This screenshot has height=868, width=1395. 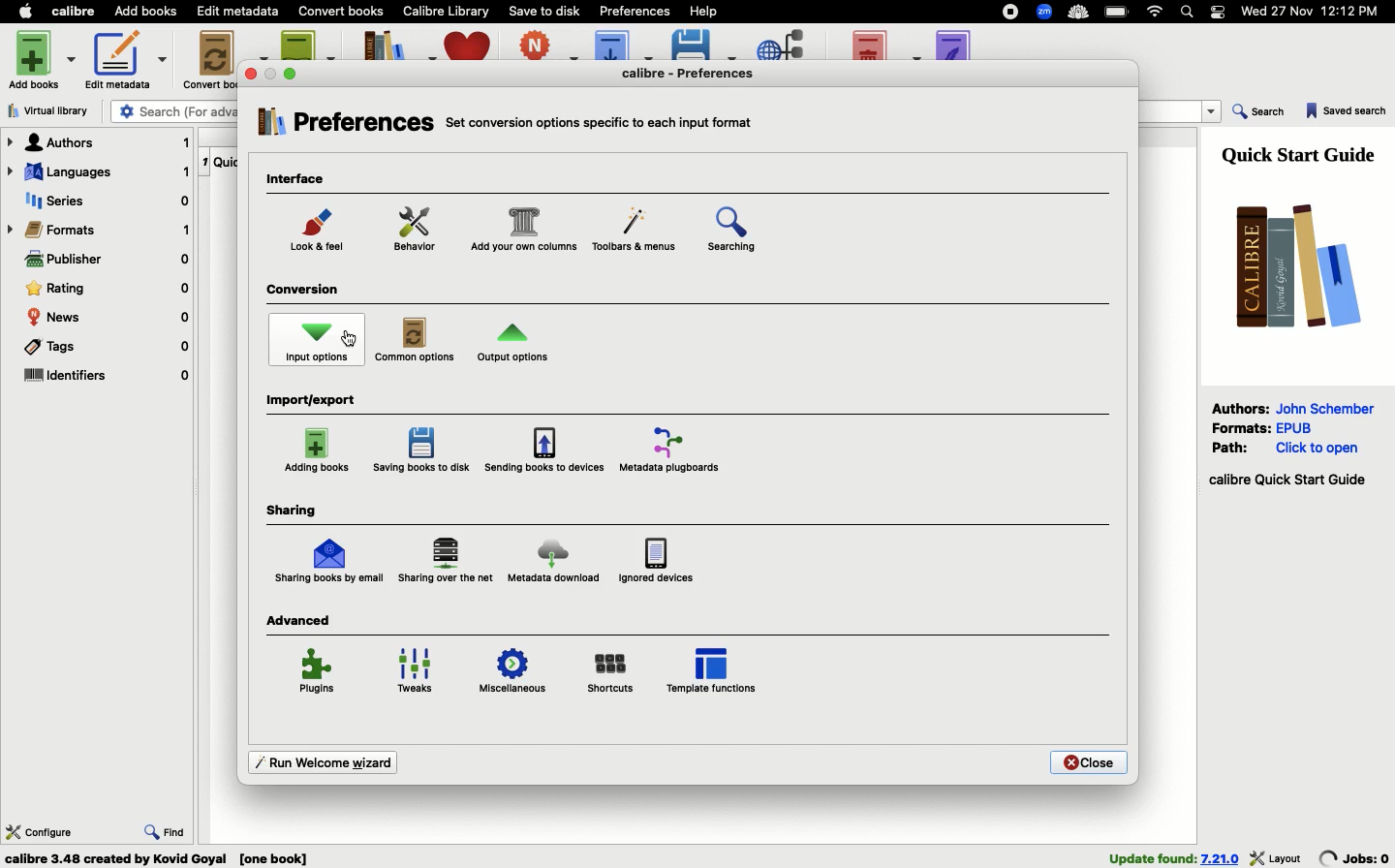 What do you see at coordinates (292, 511) in the screenshot?
I see `Sharing` at bounding box center [292, 511].